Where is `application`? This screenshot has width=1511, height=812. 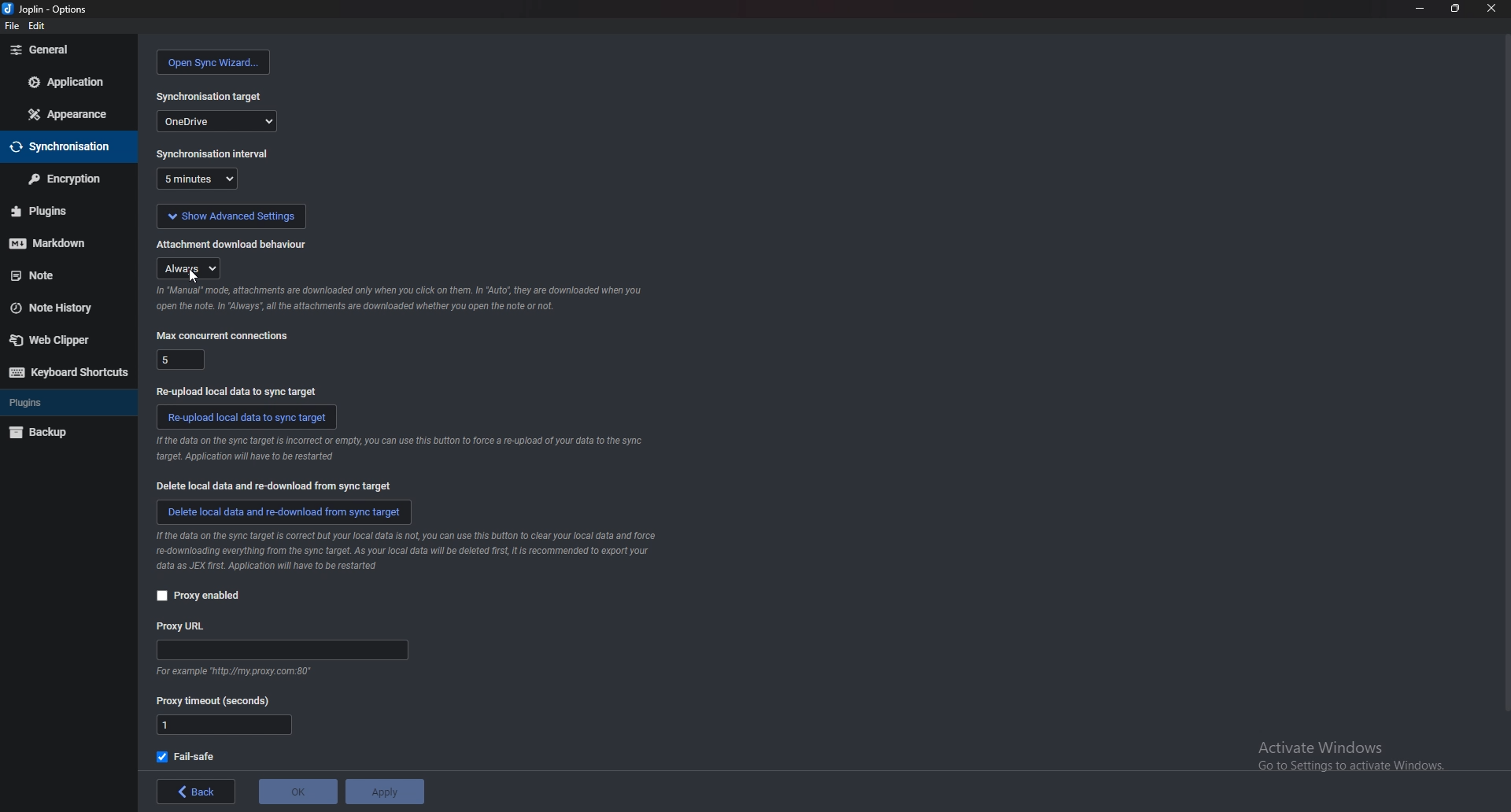
application is located at coordinates (72, 80).